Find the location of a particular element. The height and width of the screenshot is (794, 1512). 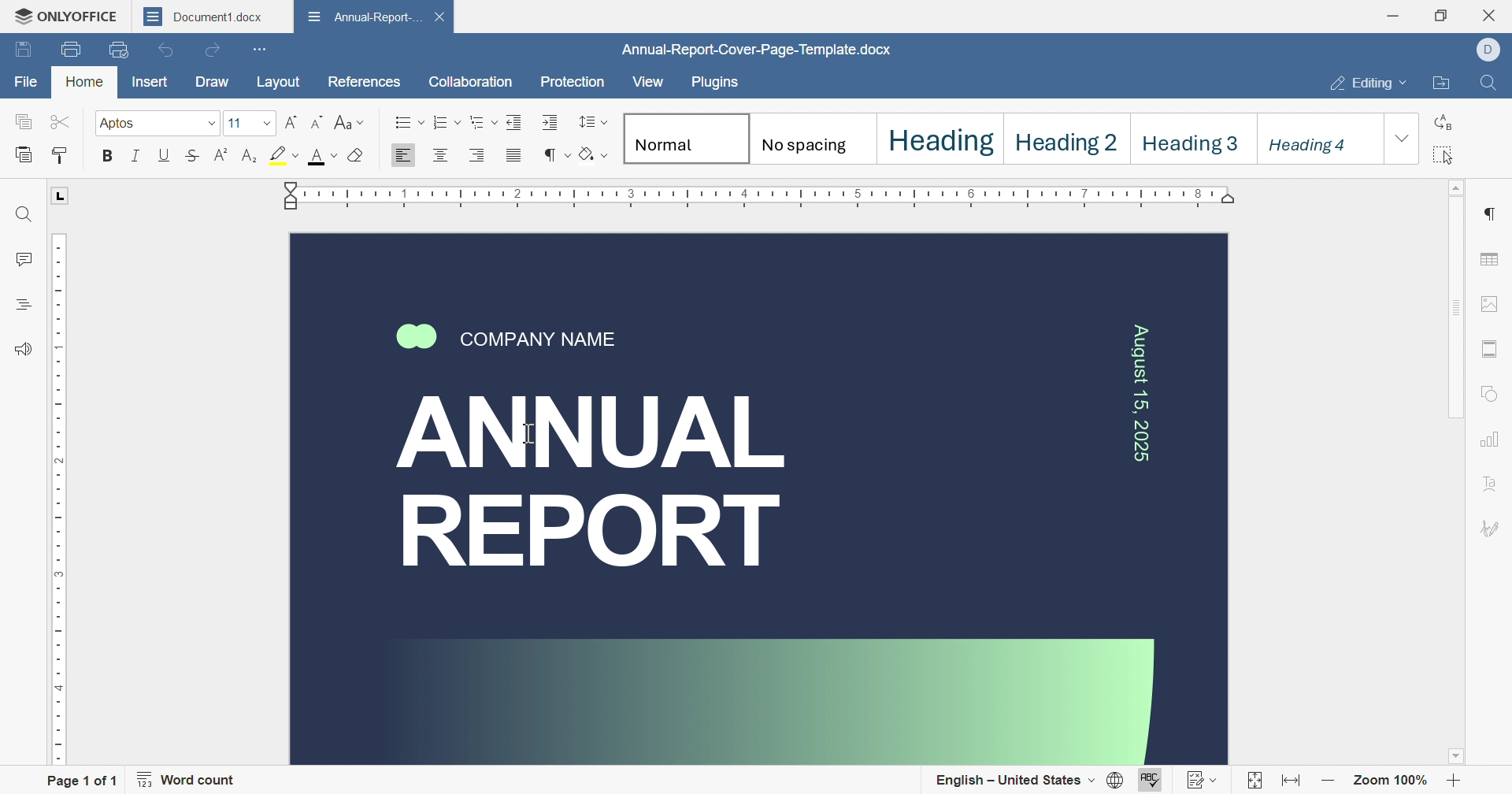

cut is located at coordinates (62, 123).